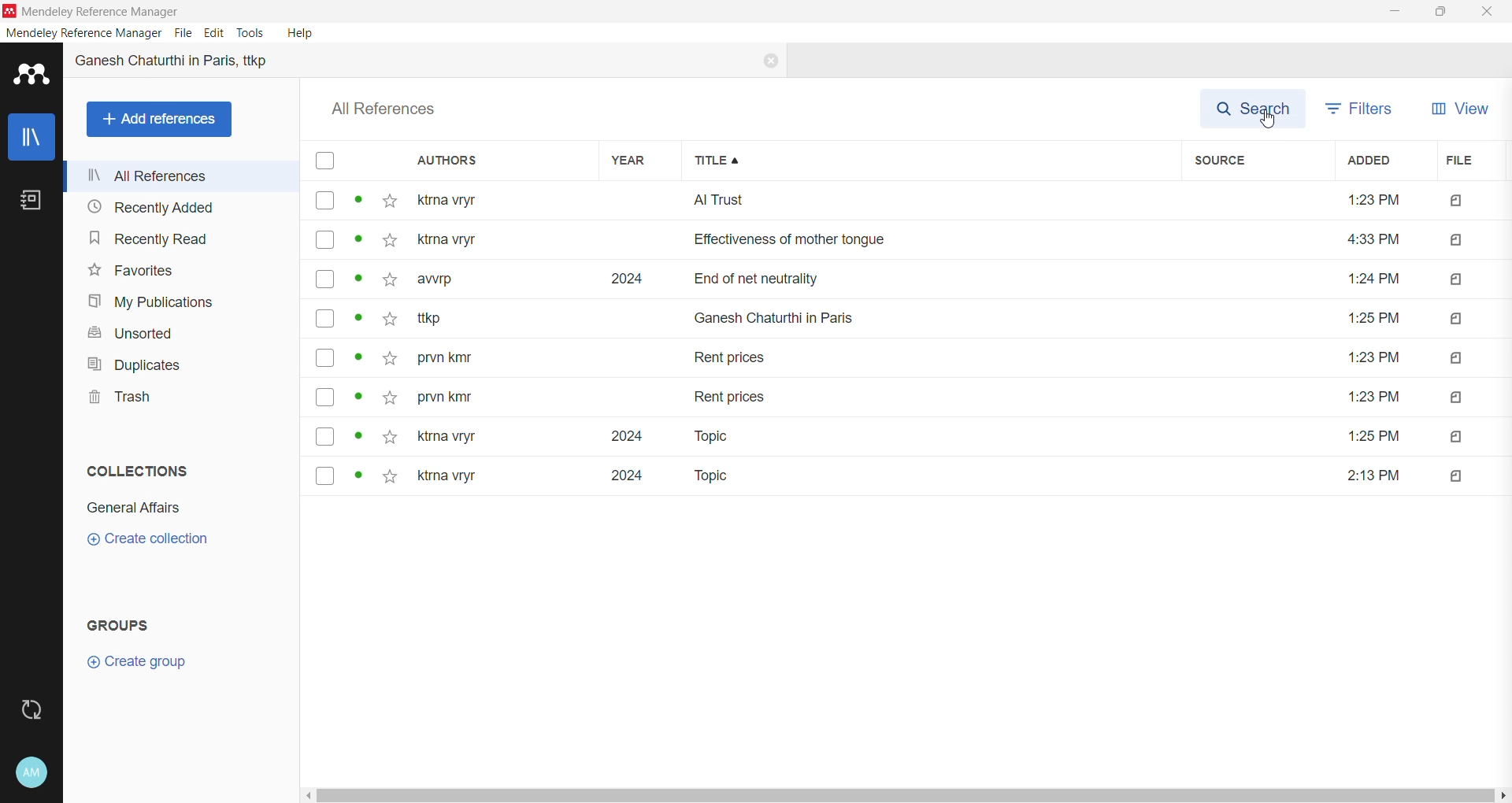 The image size is (1512, 803). I want to click on Year, so click(639, 161).